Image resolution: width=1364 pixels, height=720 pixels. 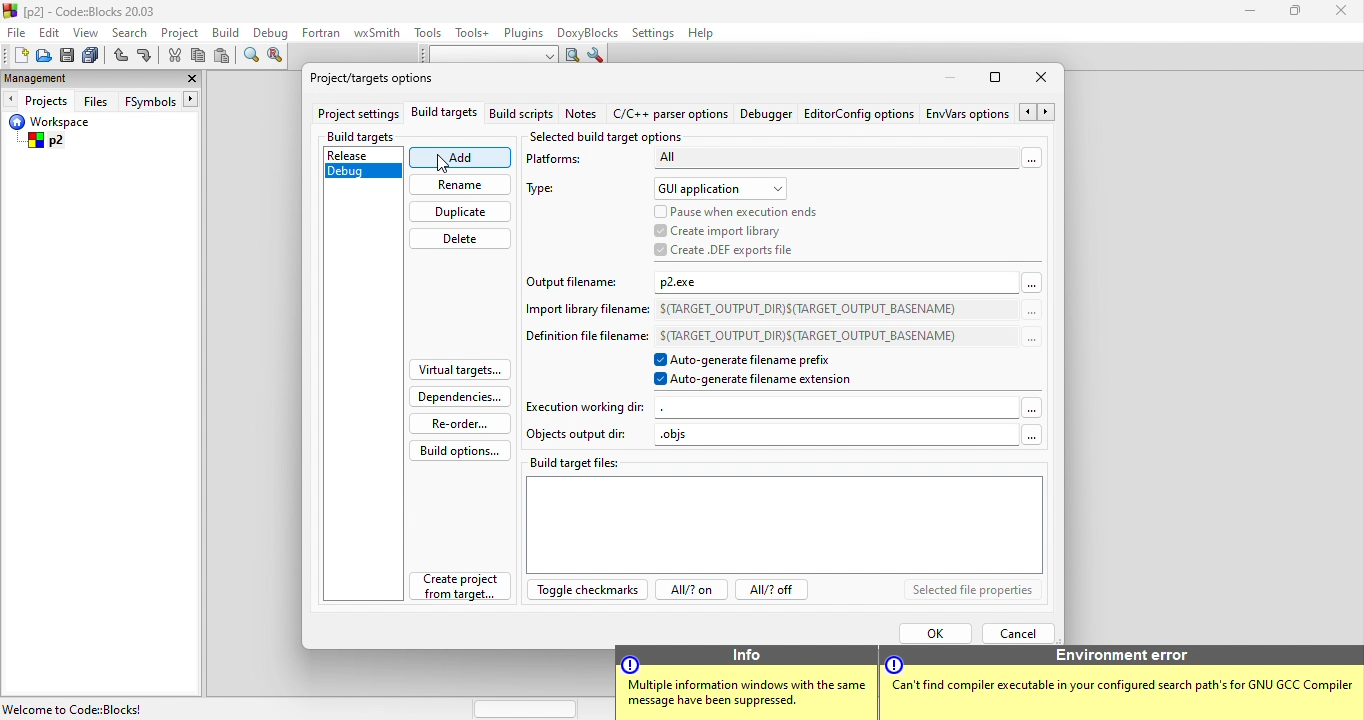 I want to click on objects output dir: obj, so click(x=786, y=433).